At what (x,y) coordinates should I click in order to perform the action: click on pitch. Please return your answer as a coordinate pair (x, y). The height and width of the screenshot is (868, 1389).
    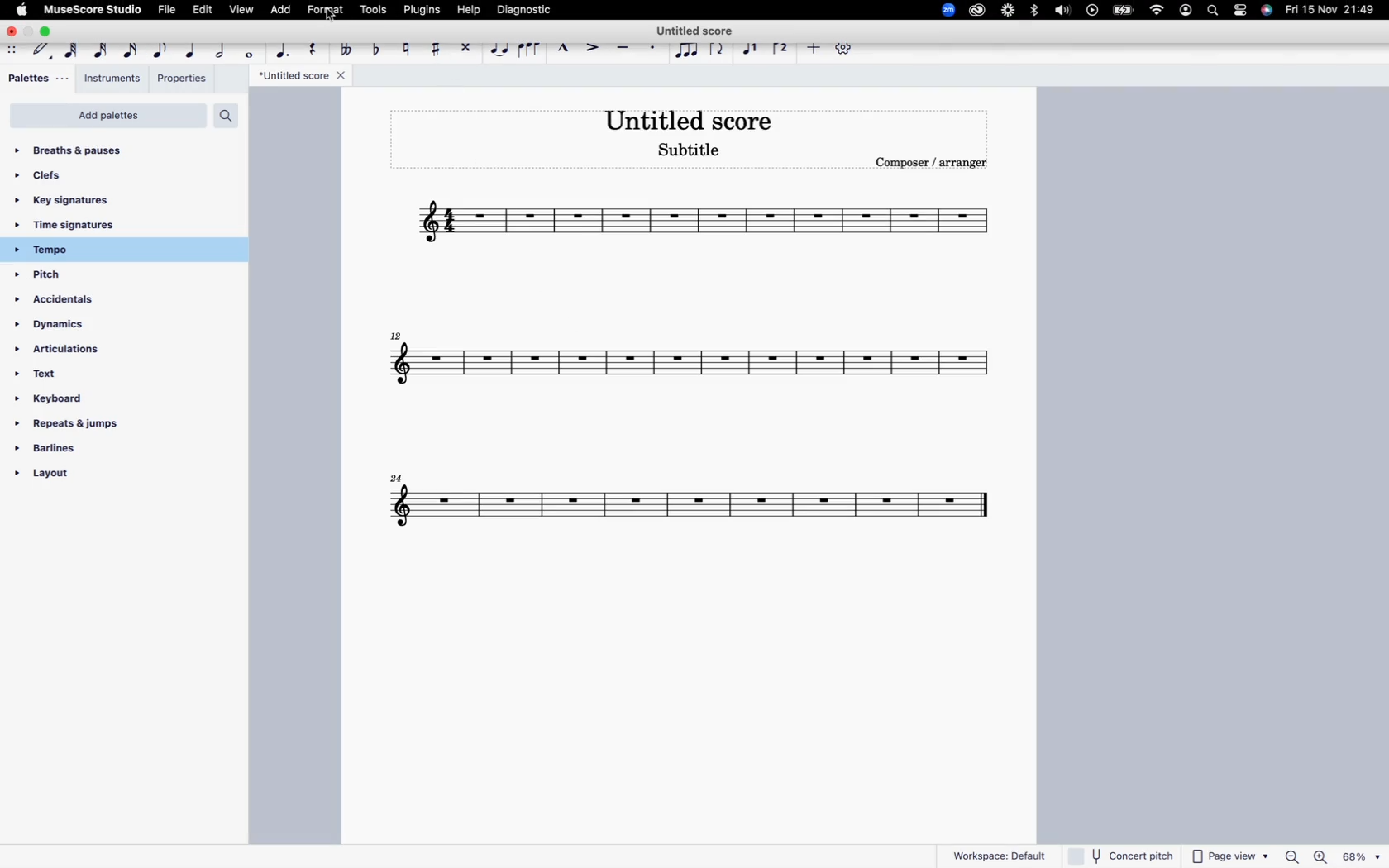
    Looking at the image, I should click on (69, 276).